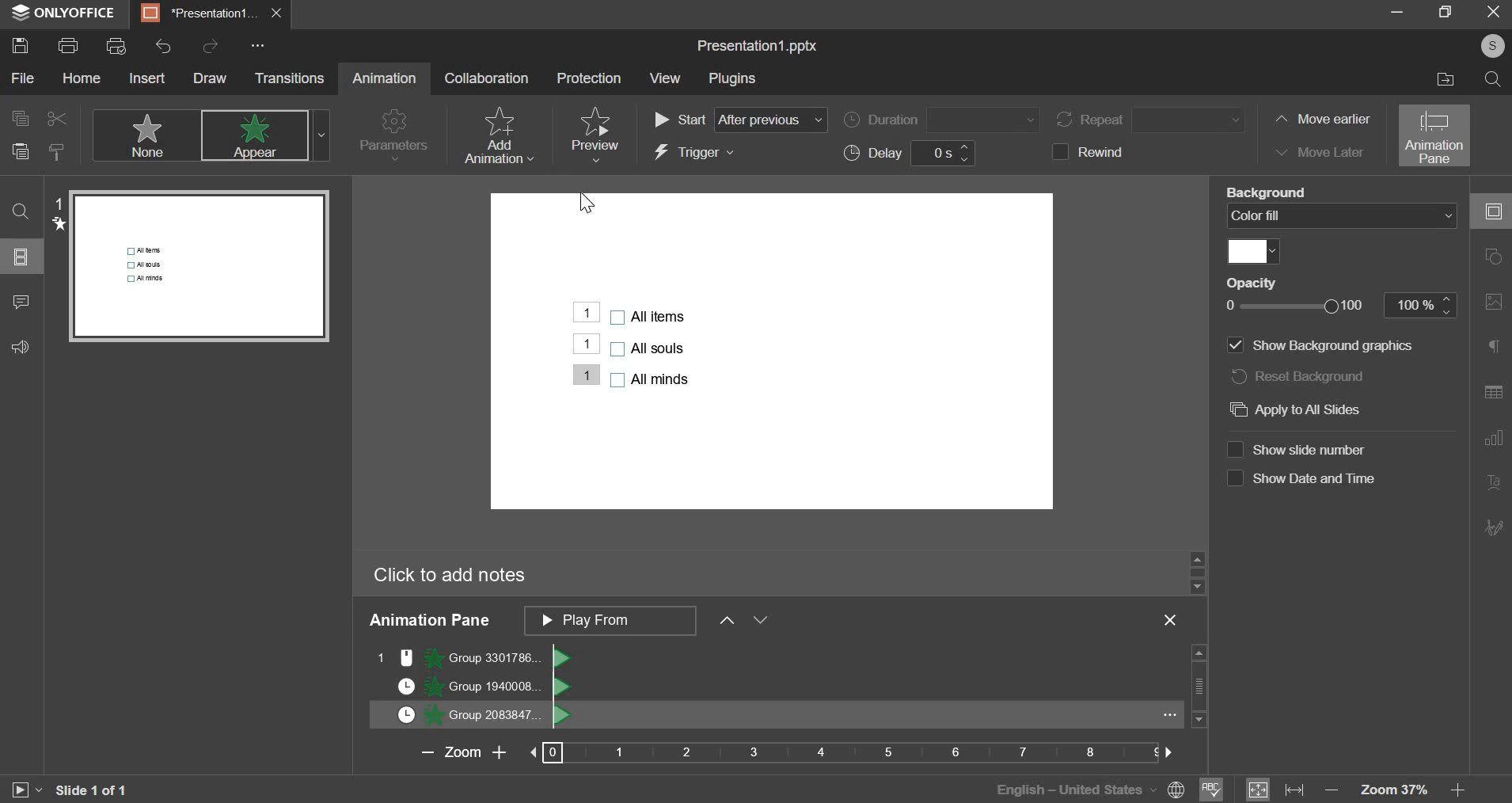  What do you see at coordinates (1252, 253) in the screenshot?
I see `fill color` at bounding box center [1252, 253].